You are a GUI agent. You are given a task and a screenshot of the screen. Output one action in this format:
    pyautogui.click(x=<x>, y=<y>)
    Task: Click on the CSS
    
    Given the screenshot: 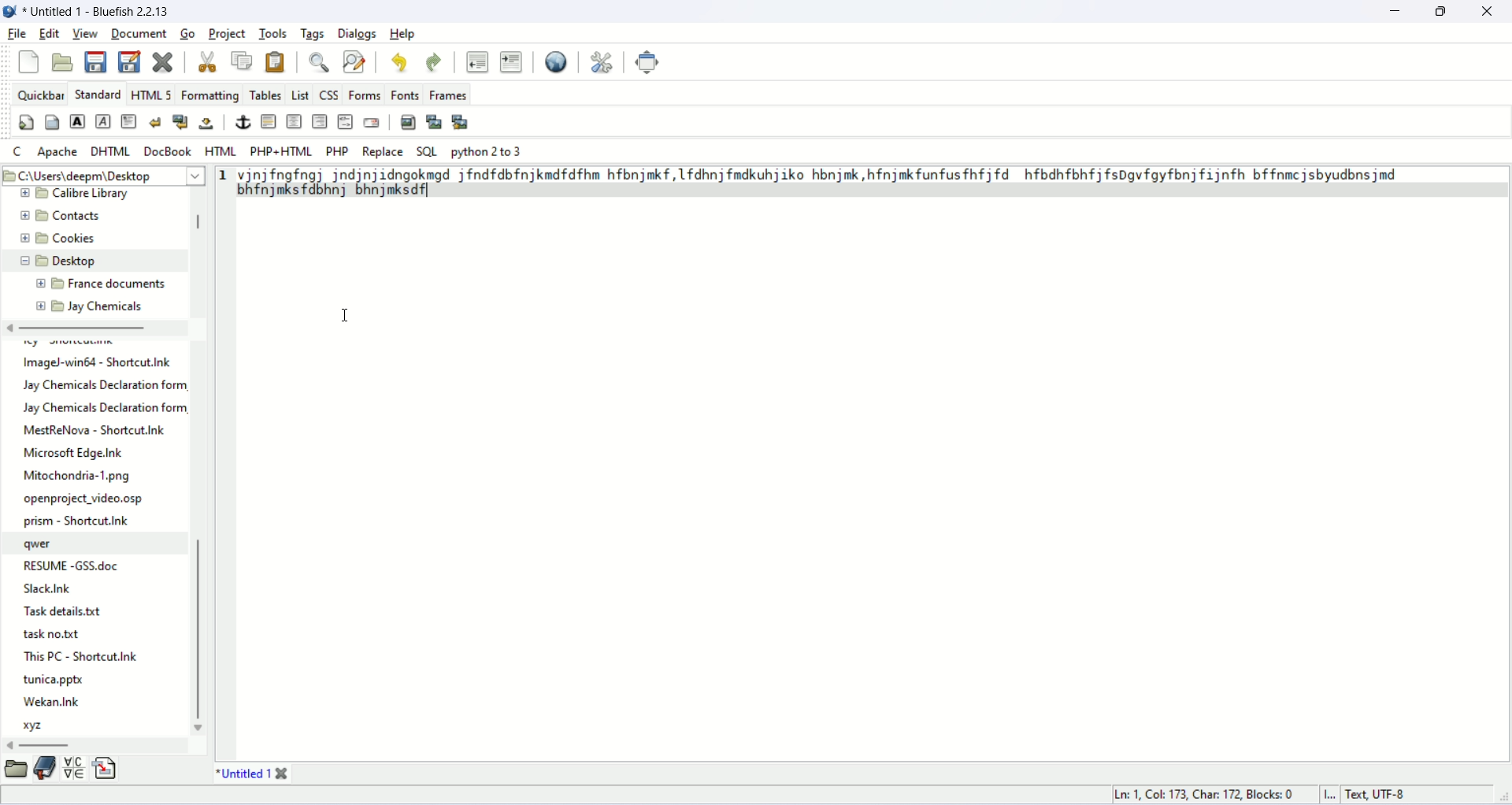 What is the action you would take?
    pyautogui.click(x=328, y=95)
    